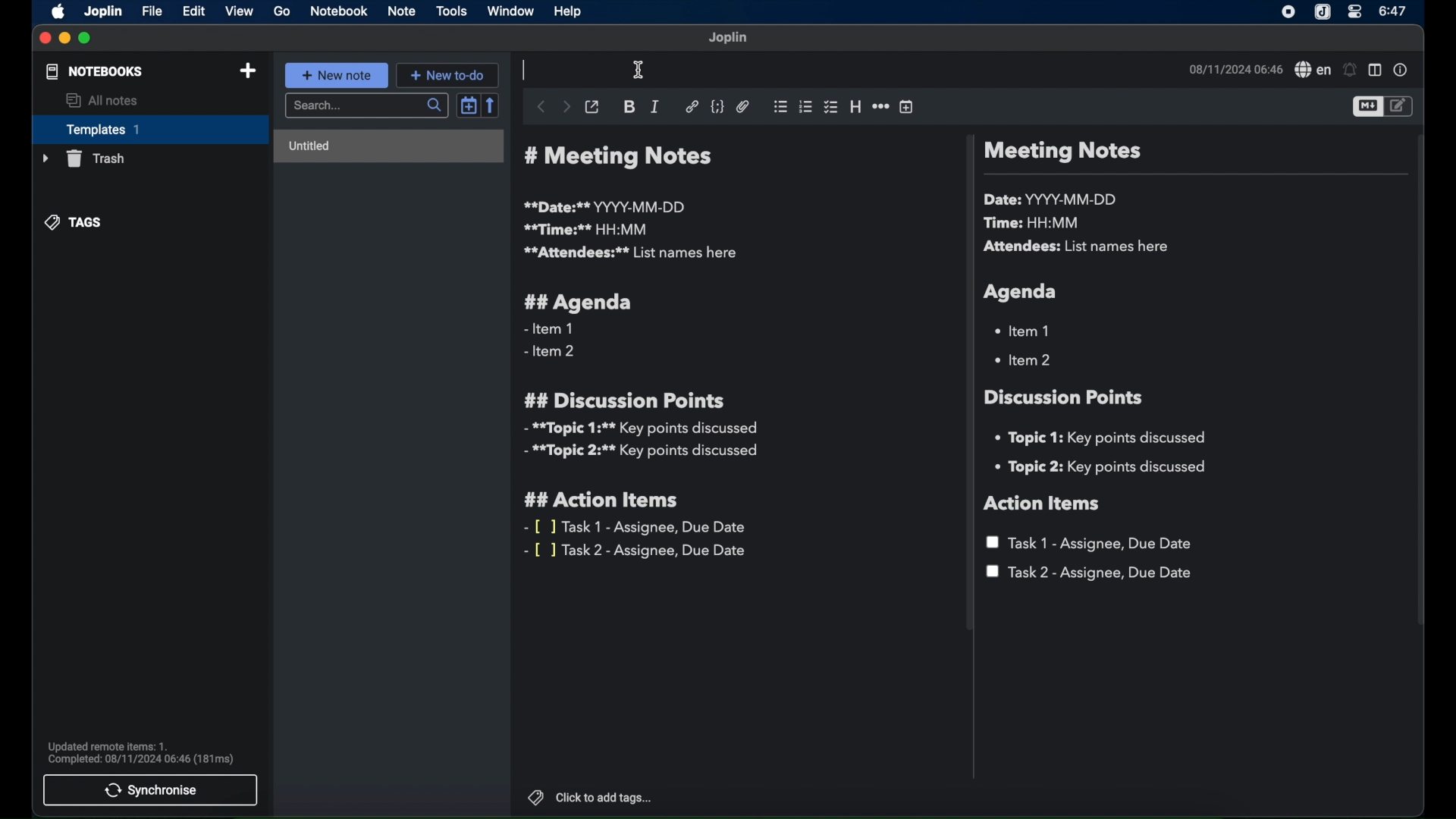 The width and height of the screenshot is (1456, 819). I want to click on search, so click(365, 106).